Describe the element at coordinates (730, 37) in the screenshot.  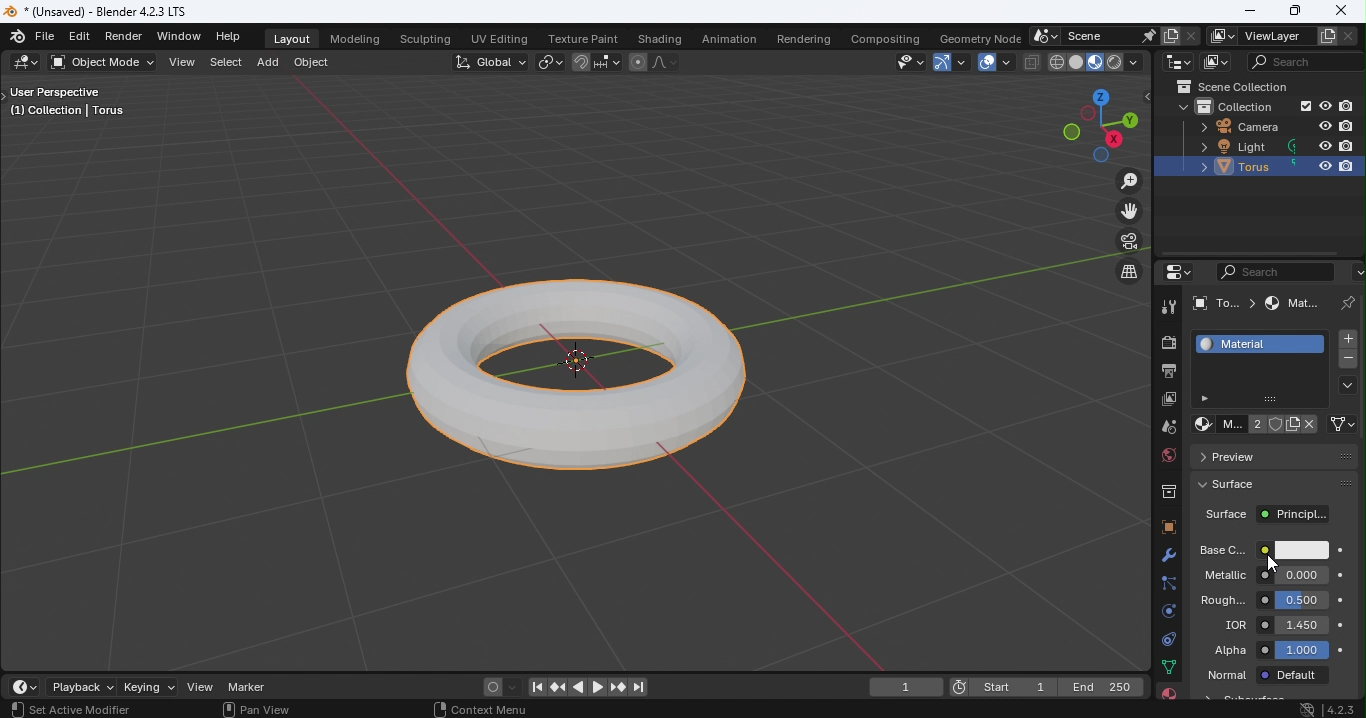
I see `Animation` at that location.